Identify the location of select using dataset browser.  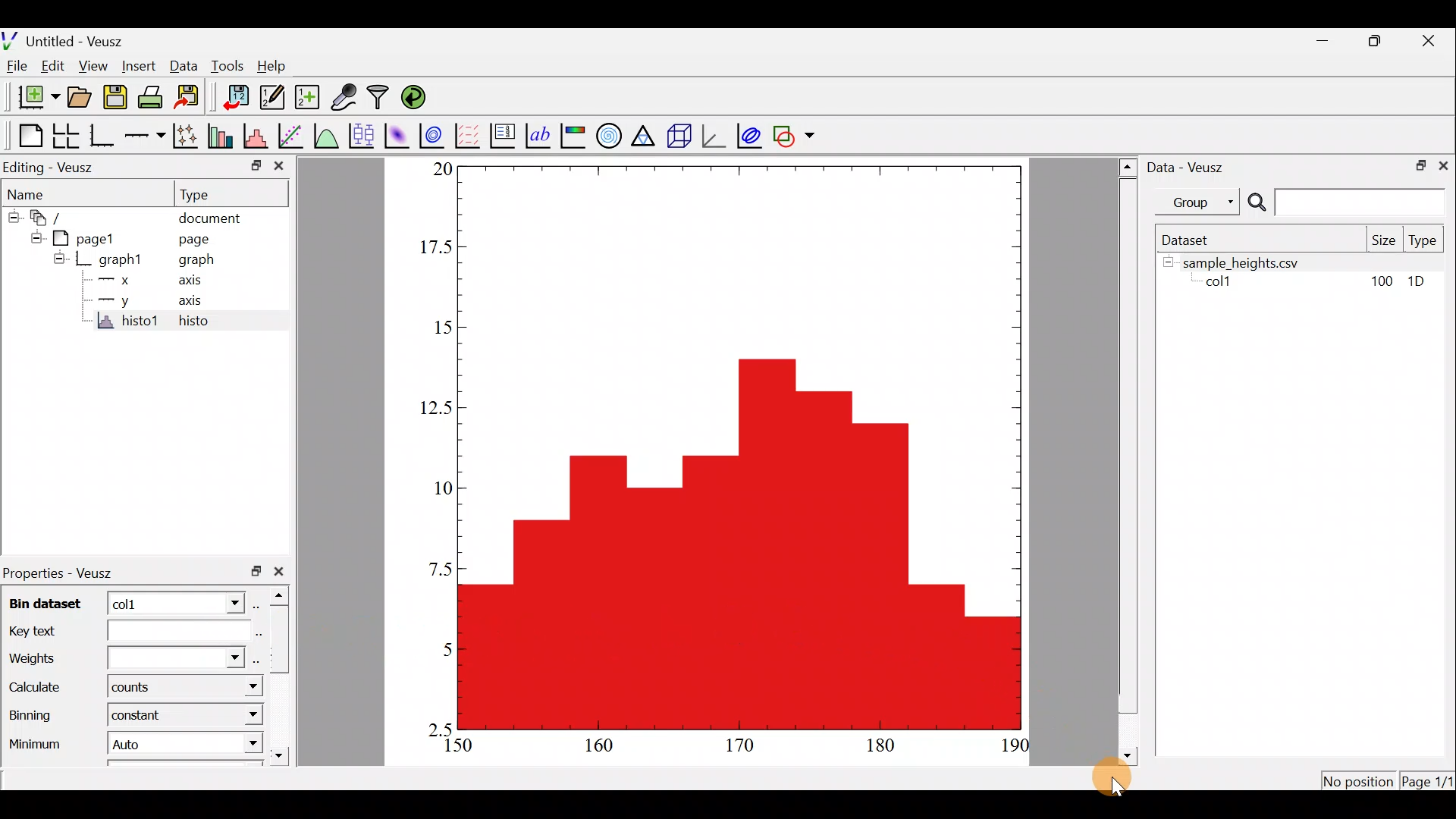
(255, 631).